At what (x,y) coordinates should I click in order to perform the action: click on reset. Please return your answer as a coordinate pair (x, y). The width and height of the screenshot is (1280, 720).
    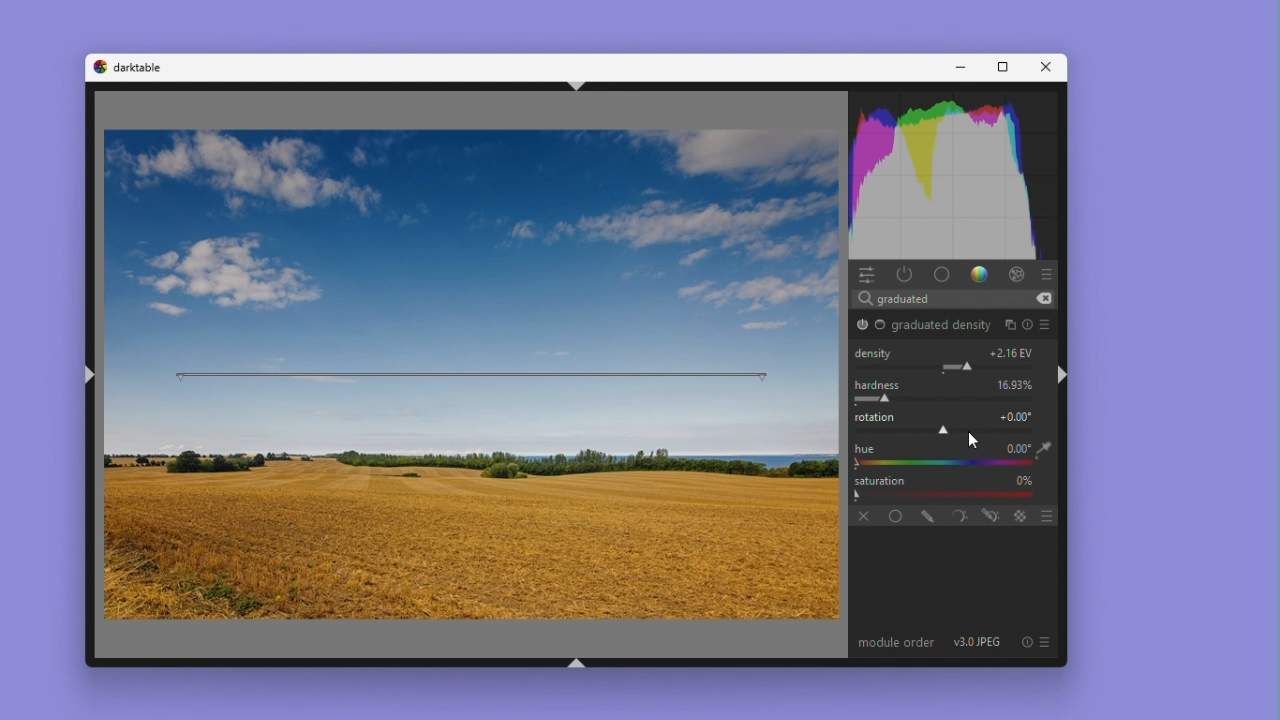
    Looking at the image, I should click on (1026, 642).